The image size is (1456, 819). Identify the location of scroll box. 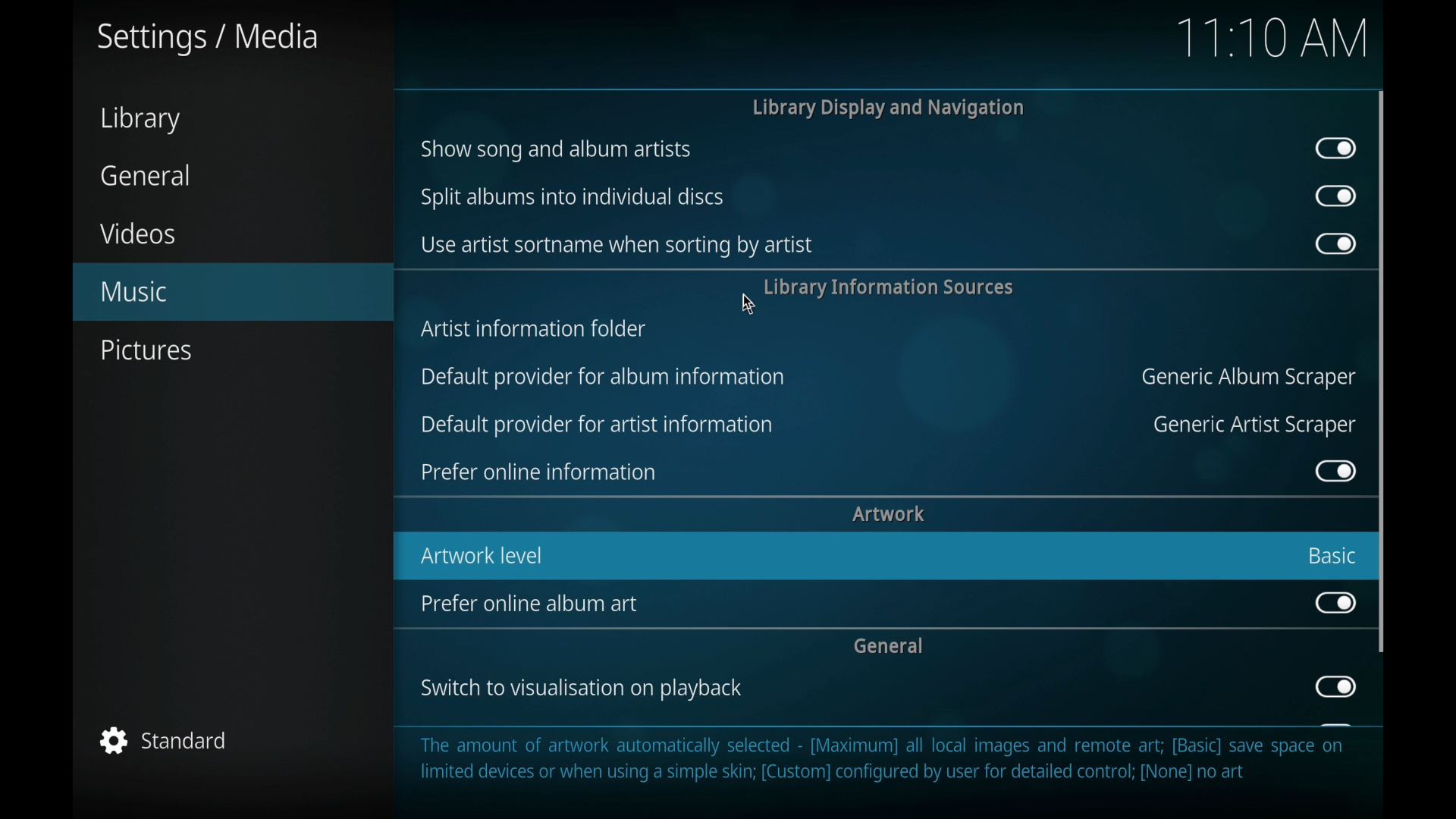
(1382, 371).